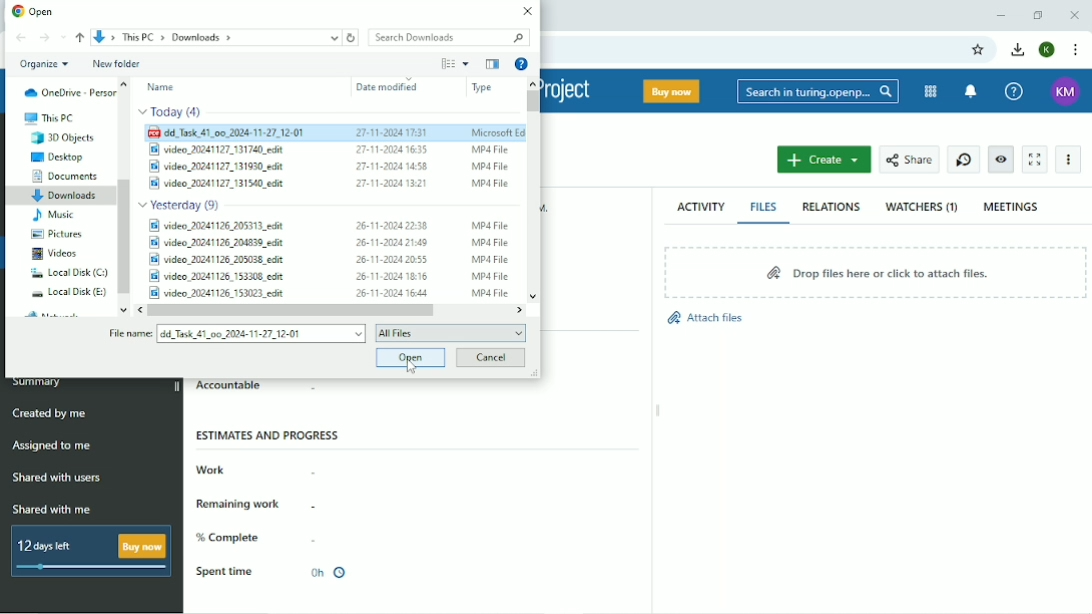 This screenshot has width=1092, height=614. Describe the element at coordinates (1037, 15) in the screenshot. I see `Restore down` at that location.